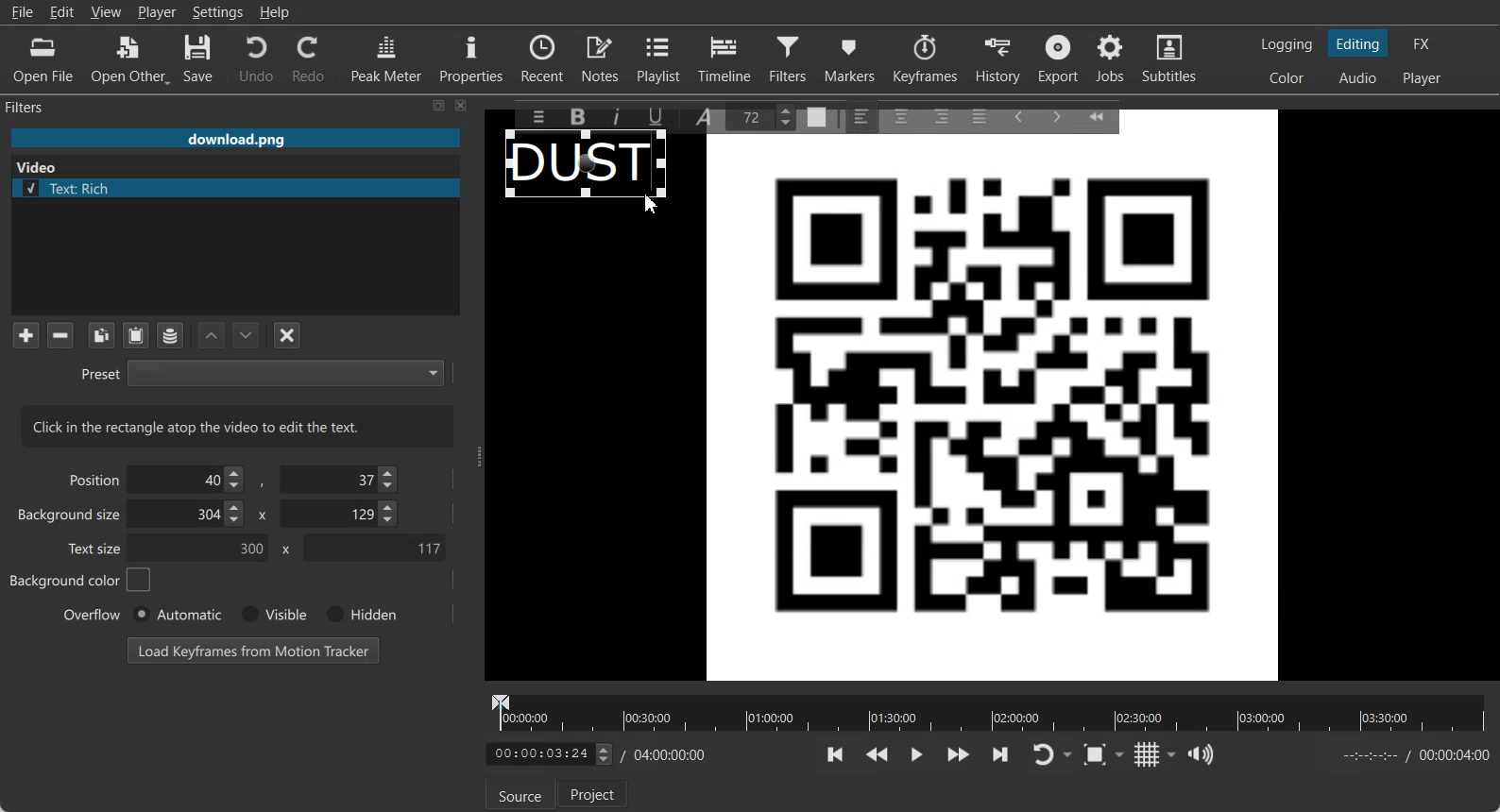 This screenshot has height=812, width=1500. What do you see at coordinates (260, 514) in the screenshot?
I see `x` at bounding box center [260, 514].